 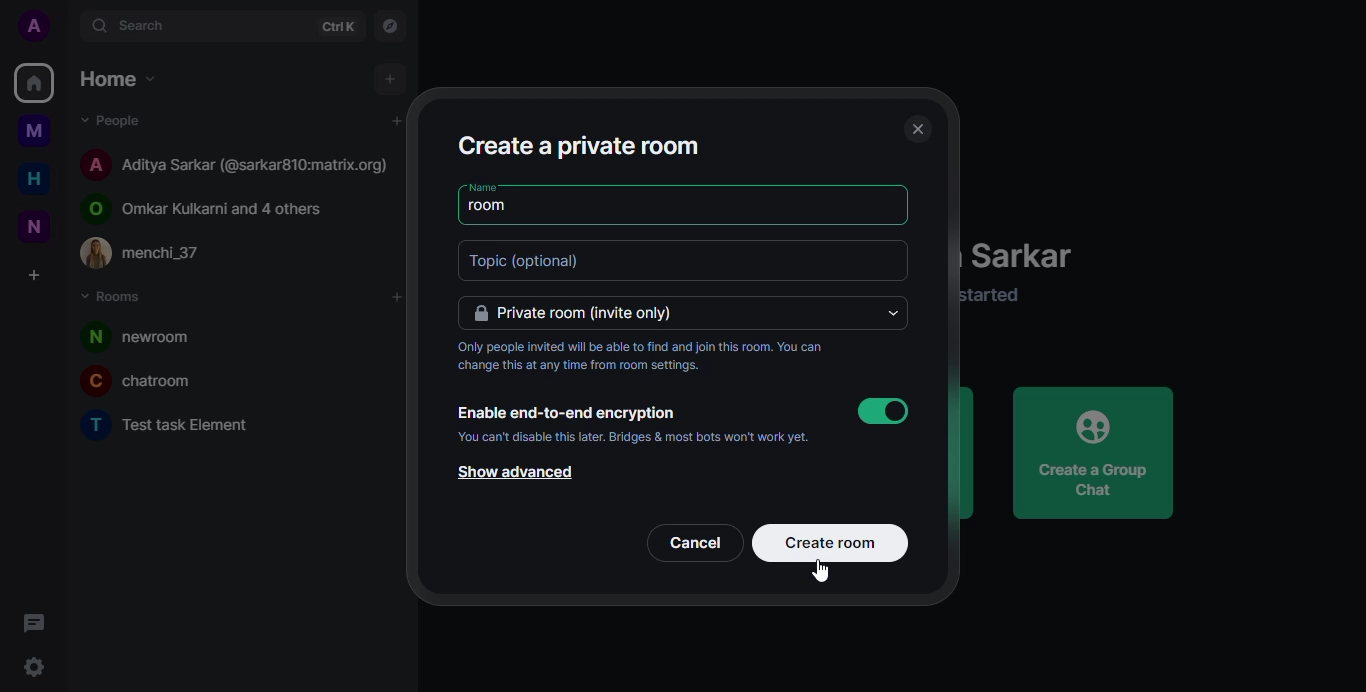 What do you see at coordinates (567, 413) in the screenshot?
I see `end to end encryption` at bounding box center [567, 413].